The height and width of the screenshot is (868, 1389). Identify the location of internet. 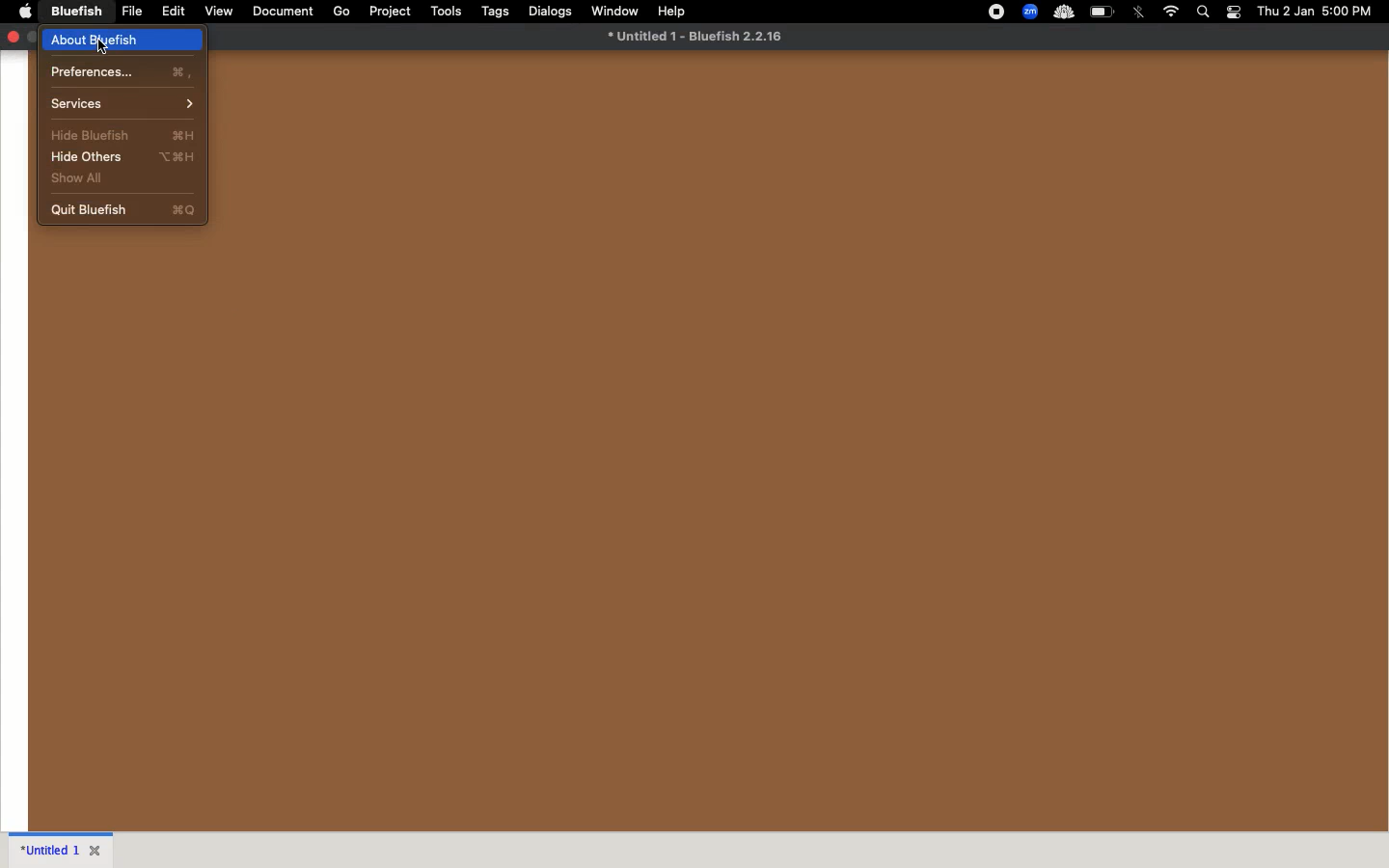
(1172, 12).